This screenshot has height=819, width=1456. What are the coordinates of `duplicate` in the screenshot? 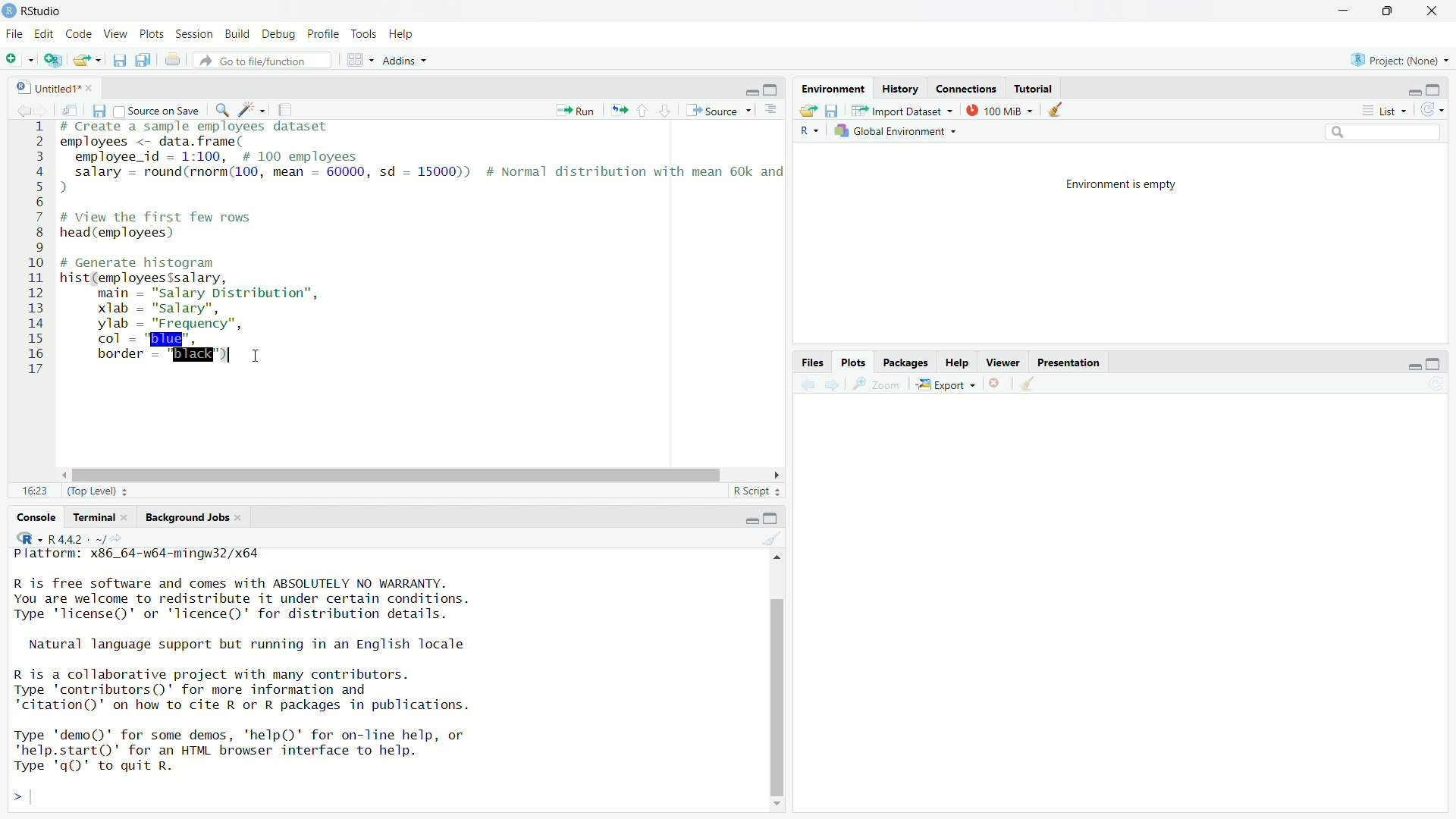 It's located at (145, 60).